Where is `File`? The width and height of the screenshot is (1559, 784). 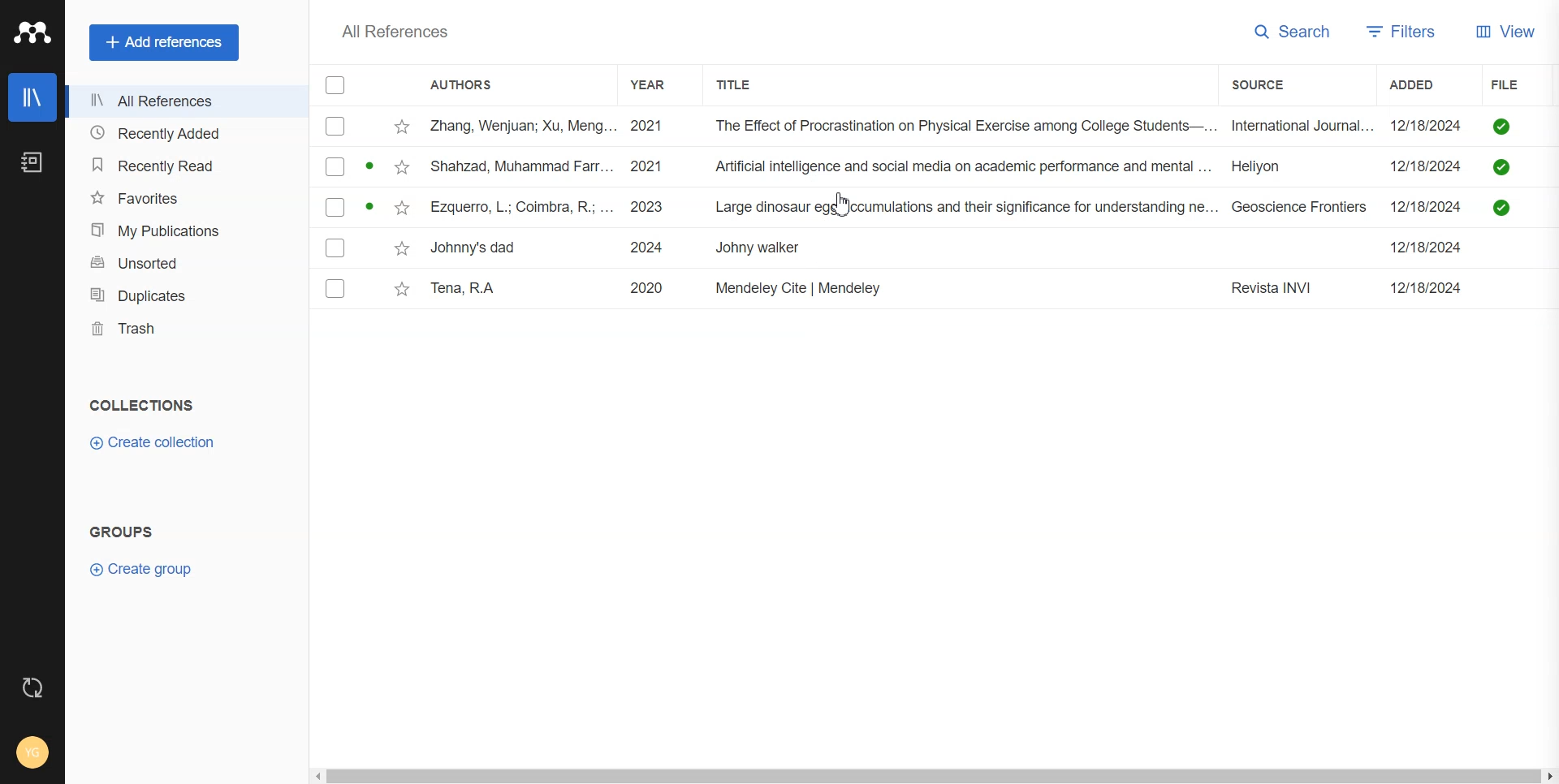
File is located at coordinates (902, 289).